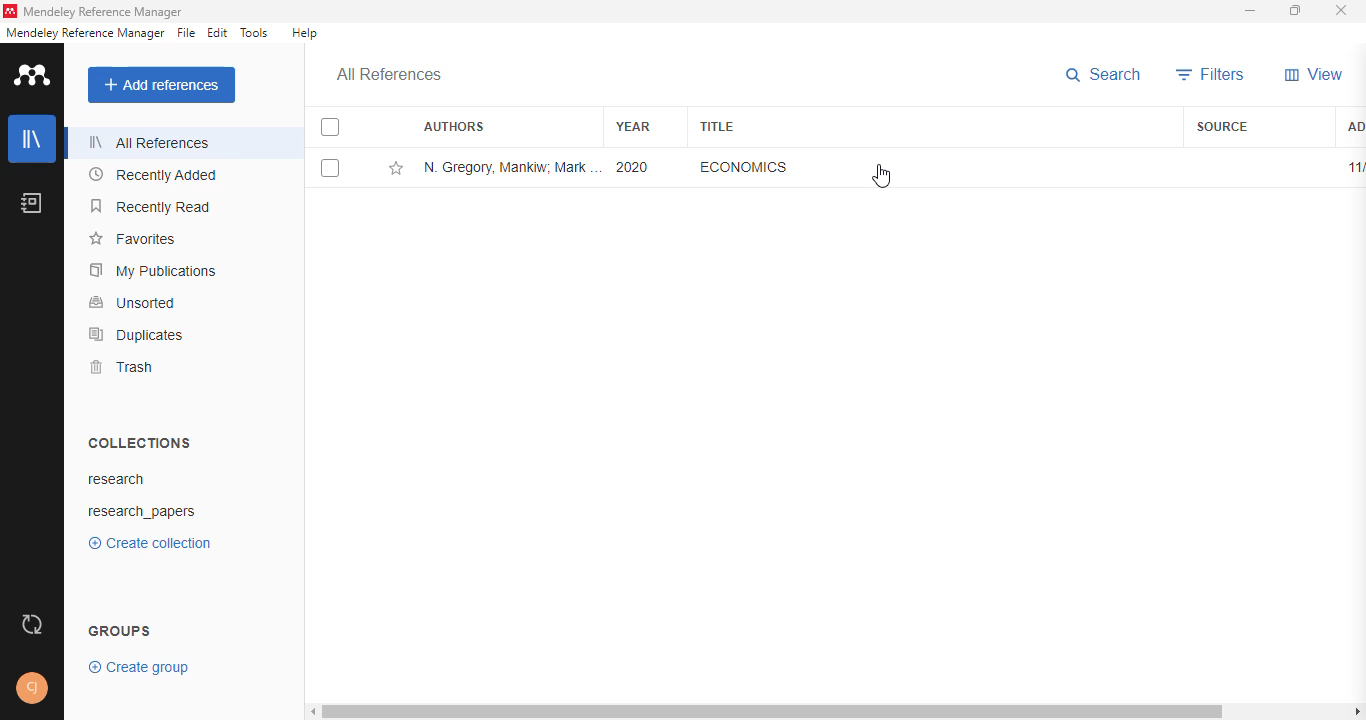 Image resolution: width=1366 pixels, height=720 pixels. I want to click on trash, so click(120, 368).